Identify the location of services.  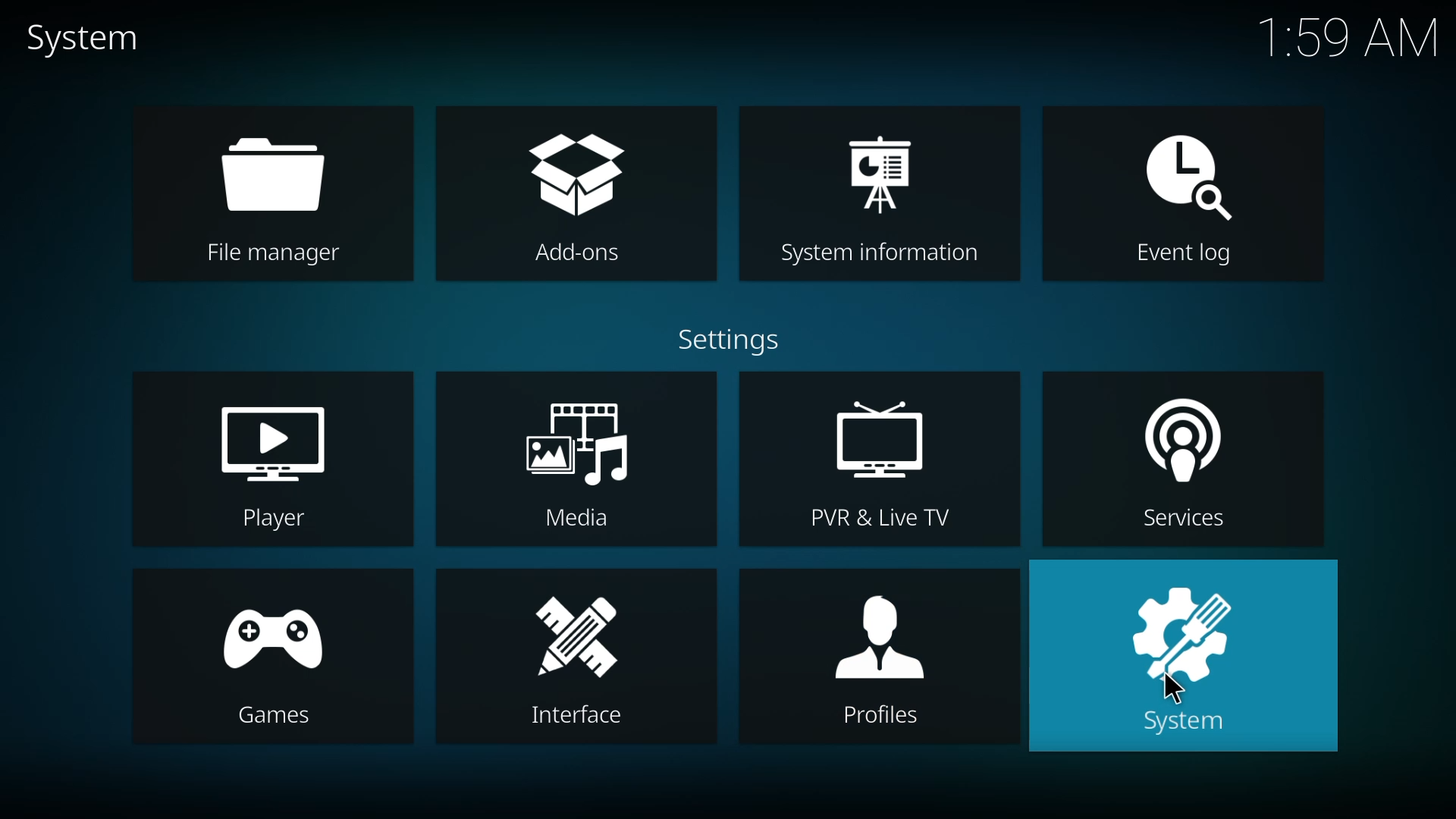
(1180, 462).